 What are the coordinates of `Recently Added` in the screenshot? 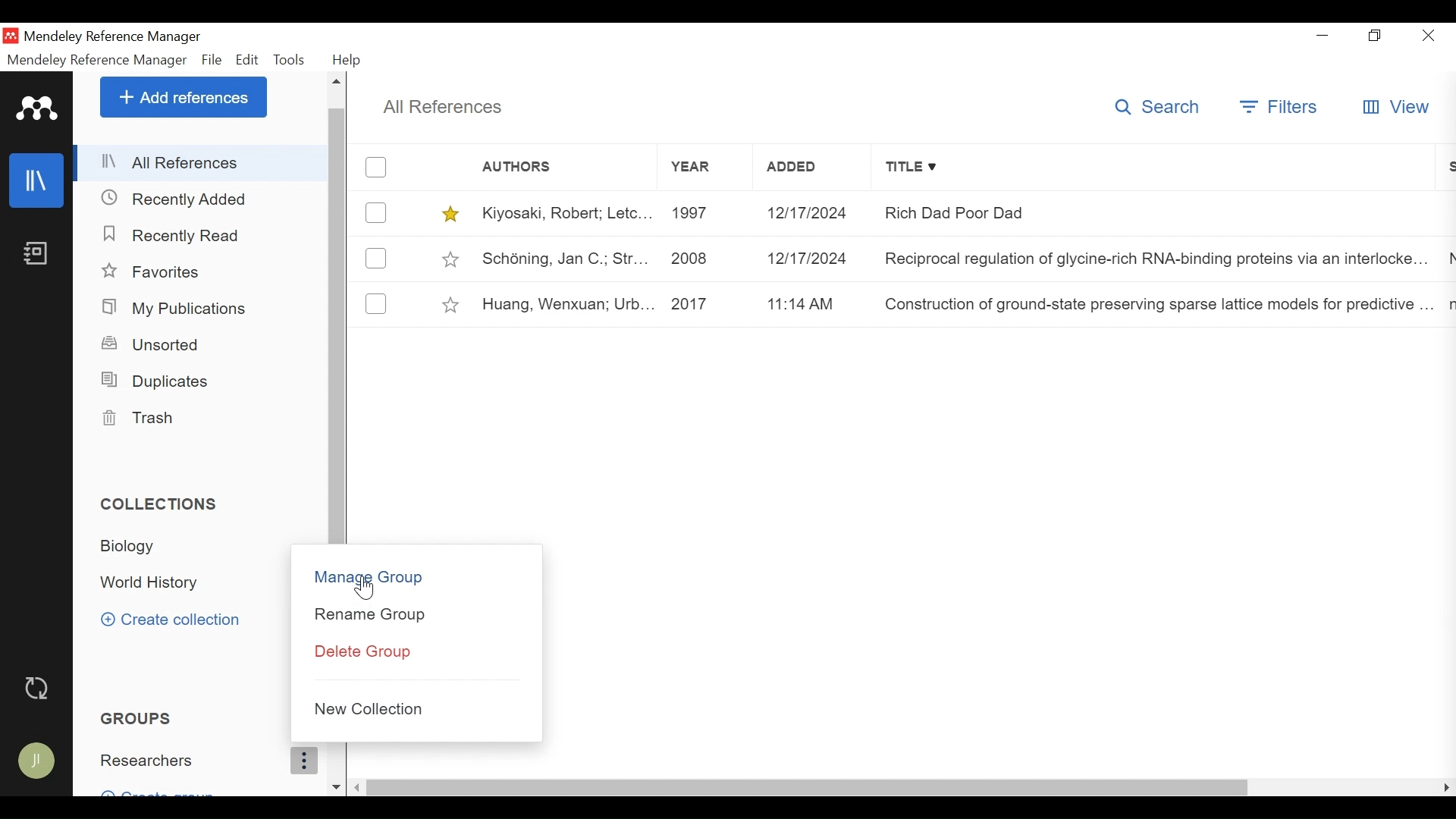 It's located at (177, 199).